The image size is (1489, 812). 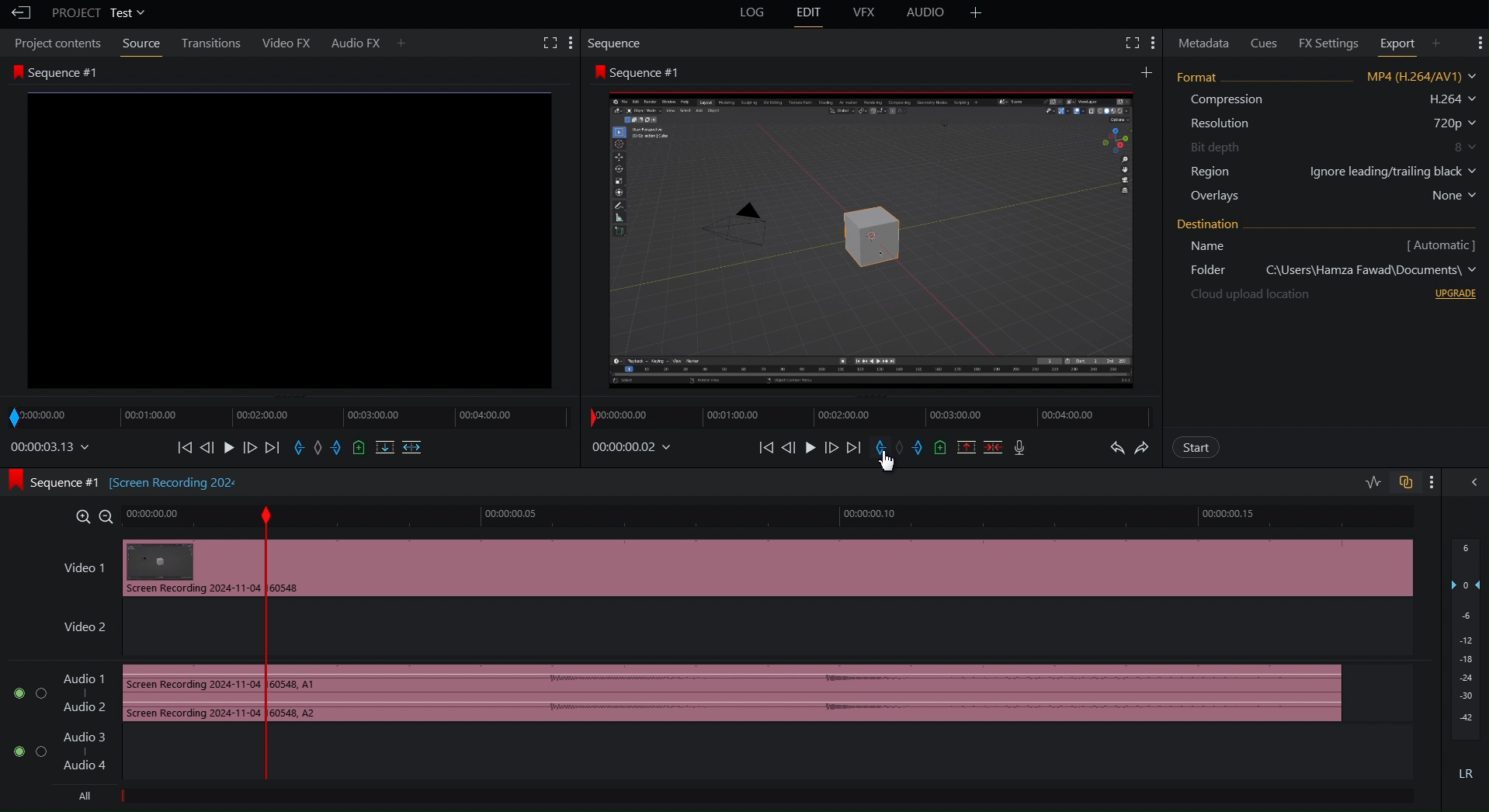 What do you see at coordinates (1330, 260) in the screenshot?
I see `Destination` at bounding box center [1330, 260].